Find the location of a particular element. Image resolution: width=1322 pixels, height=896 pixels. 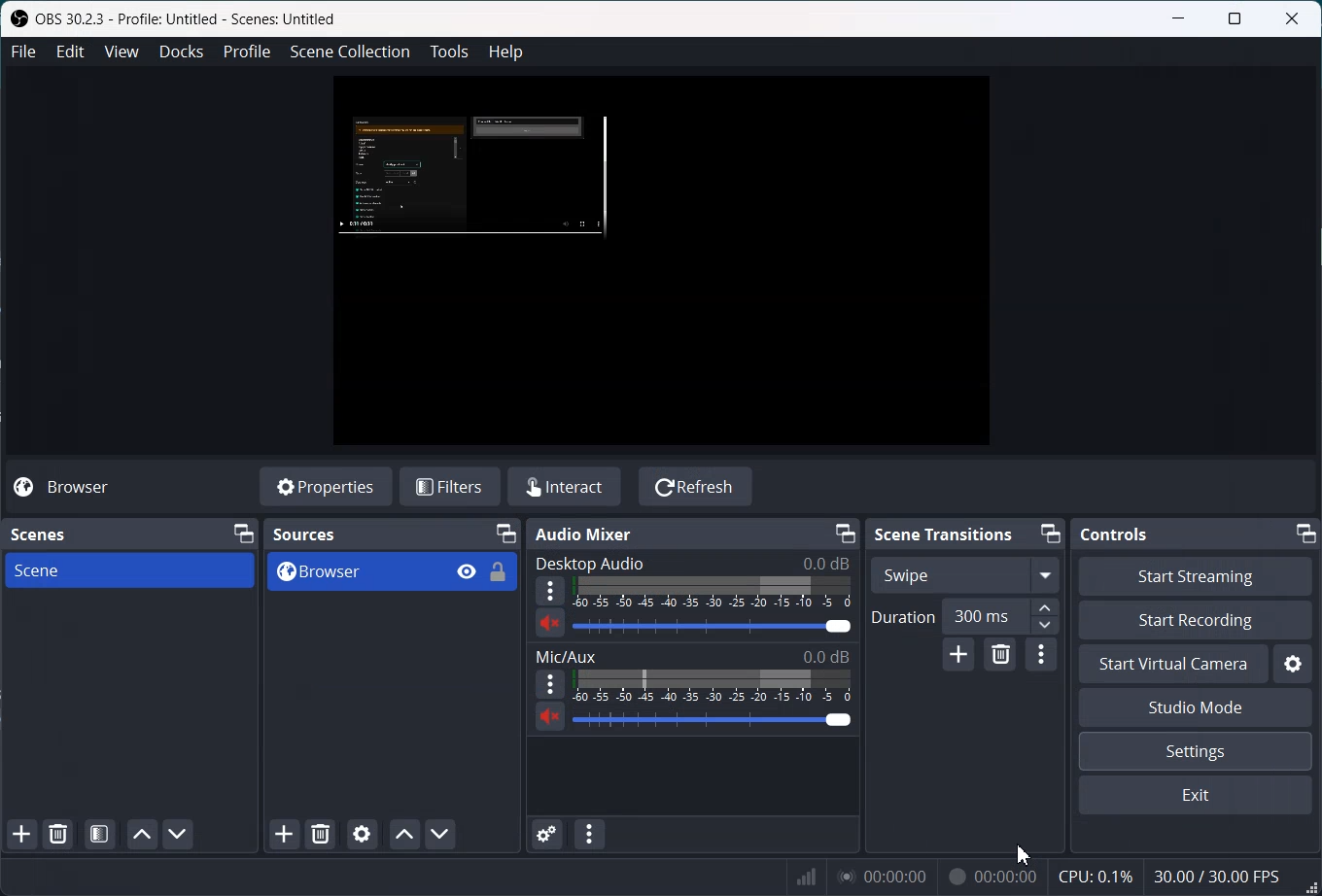

Close is located at coordinates (1292, 17).